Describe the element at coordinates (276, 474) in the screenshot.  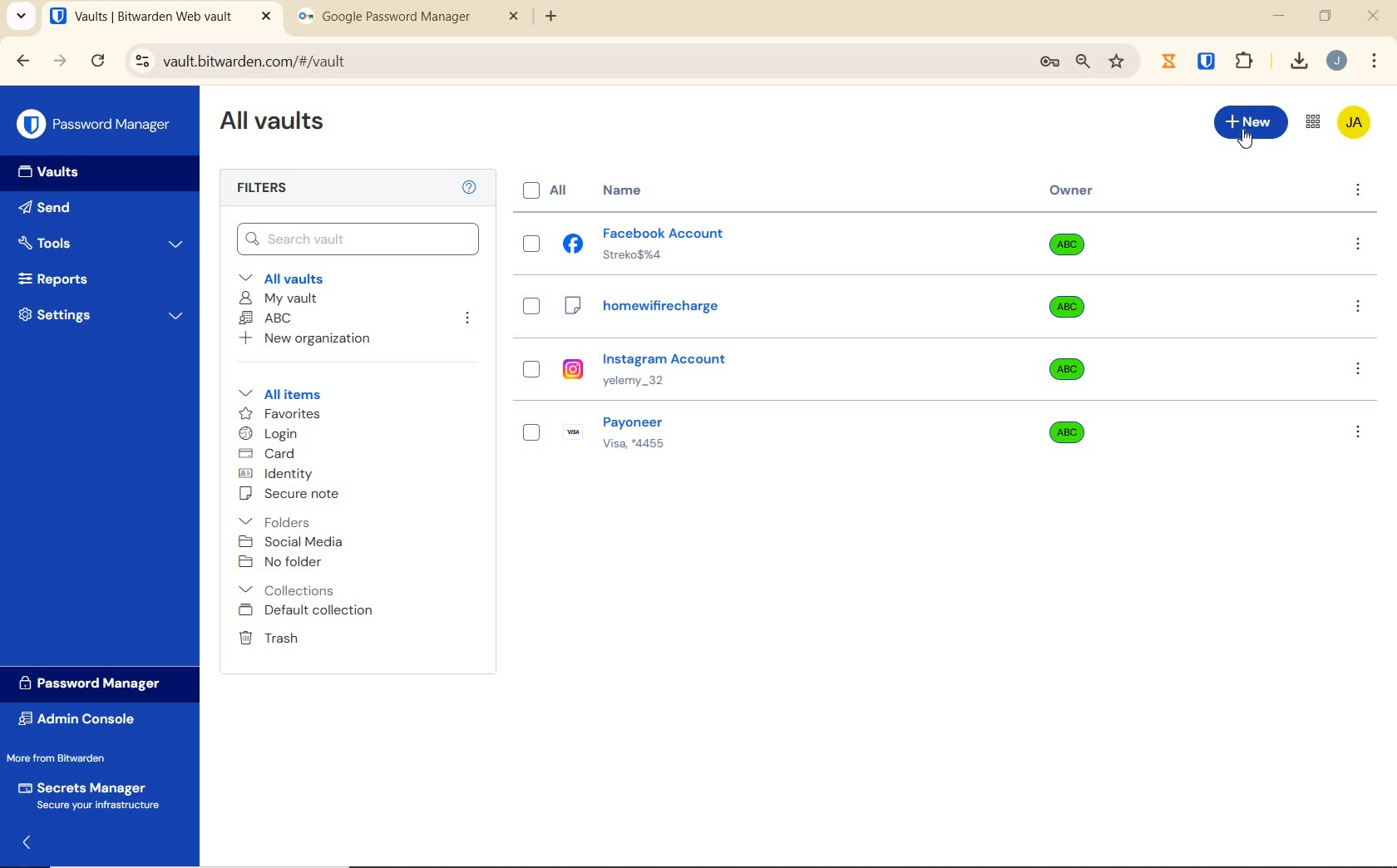
I see `identity` at that location.